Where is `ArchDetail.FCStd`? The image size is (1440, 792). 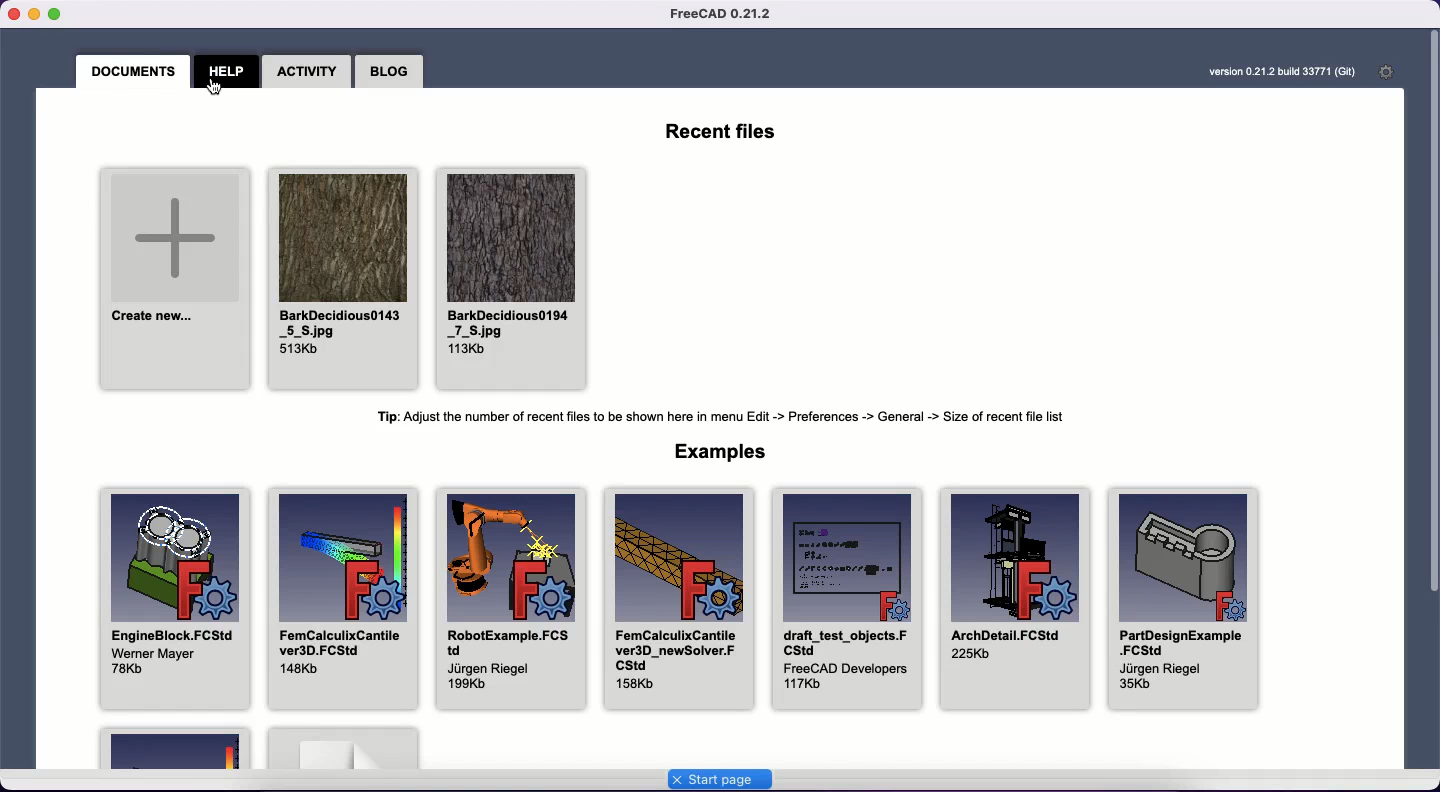 ArchDetail.FCStd is located at coordinates (1017, 600).